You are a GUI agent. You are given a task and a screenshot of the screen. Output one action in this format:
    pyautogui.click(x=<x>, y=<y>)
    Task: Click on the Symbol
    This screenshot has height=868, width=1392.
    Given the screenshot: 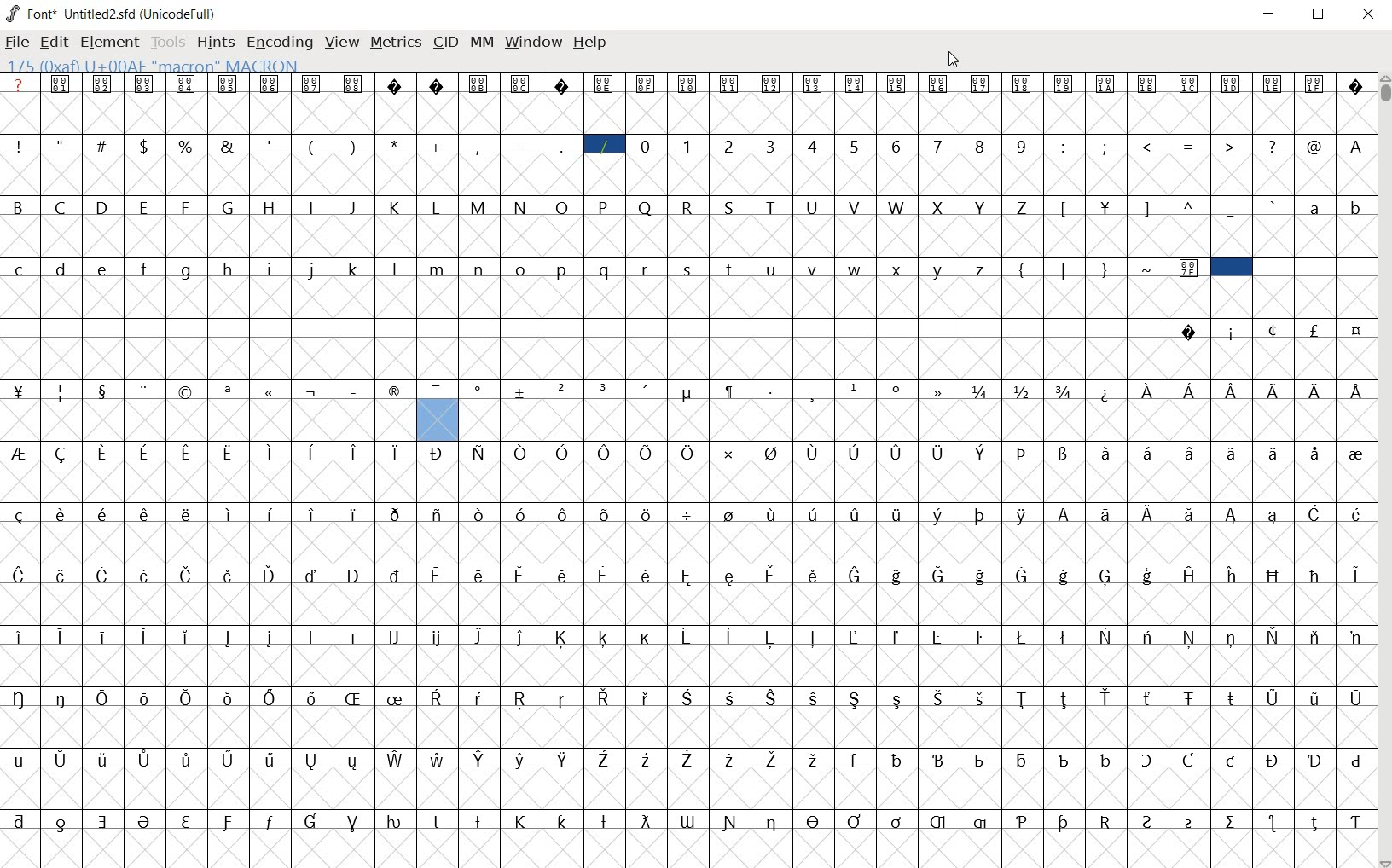 What is the action you would take?
    pyautogui.click(x=940, y=574)
    